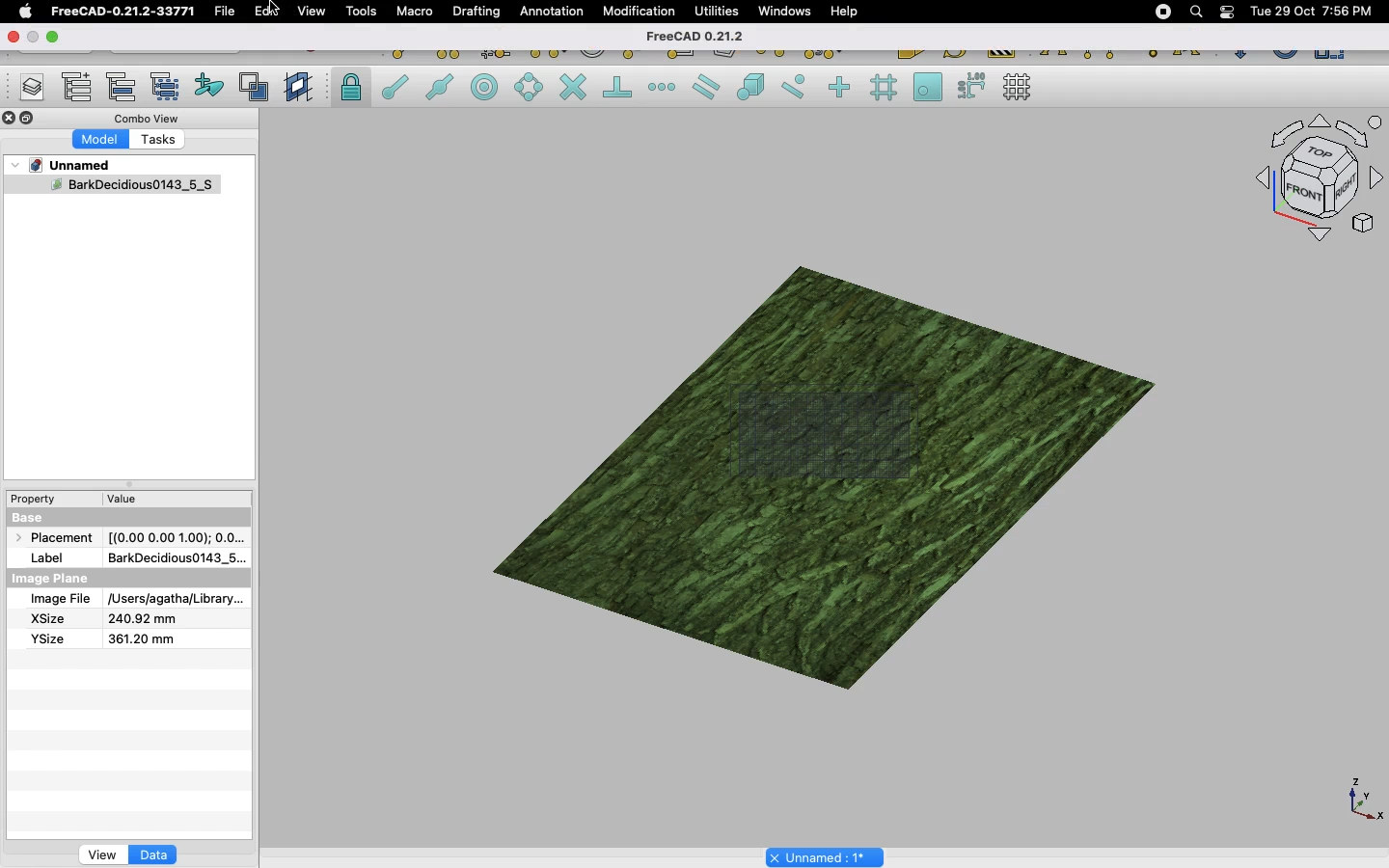 The width and height of the screenshot is (1389, 868). I want to click on Property, so click(39, 499).